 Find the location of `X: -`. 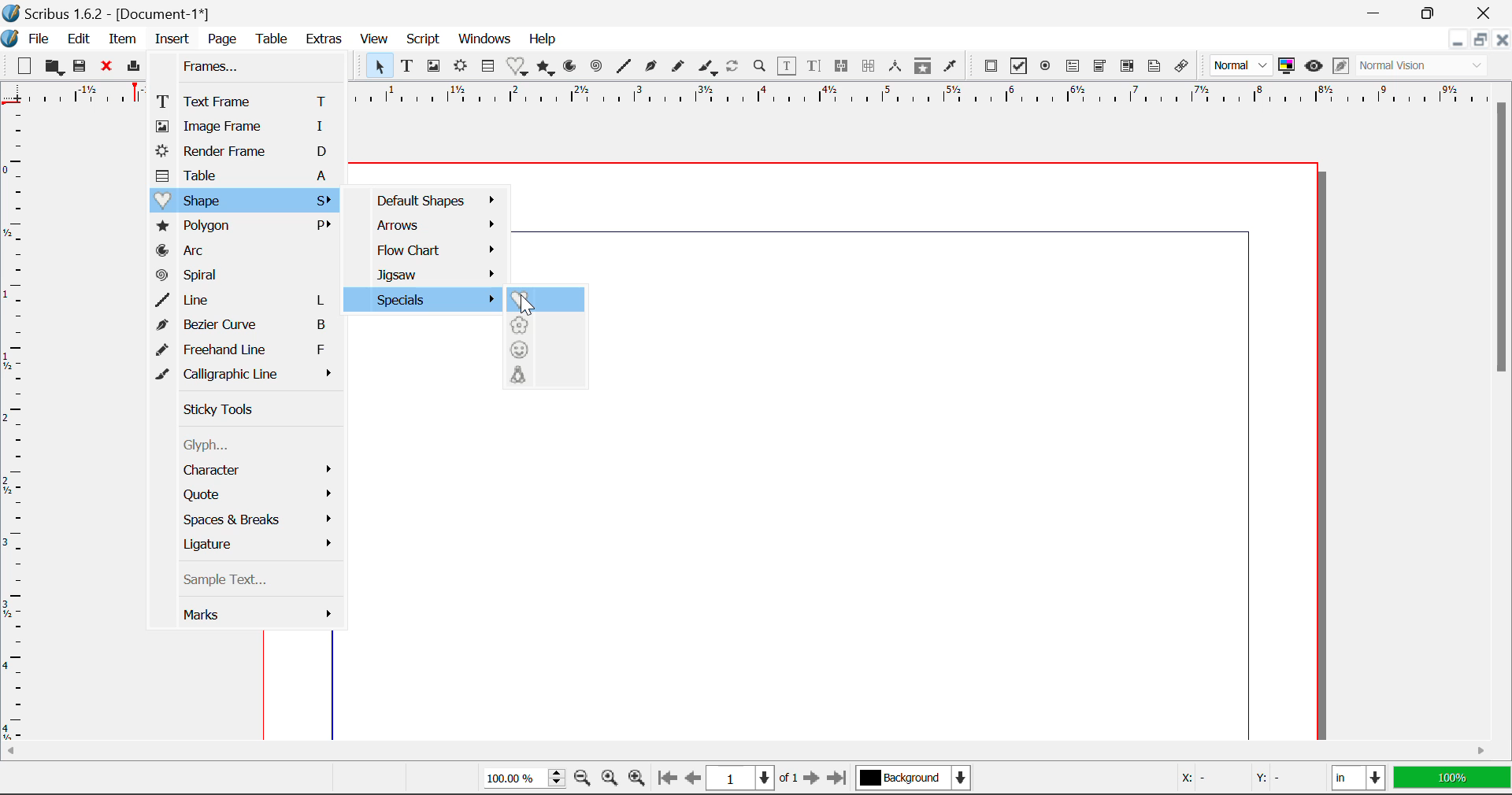

X: - is located at coordinates (1206, 777).